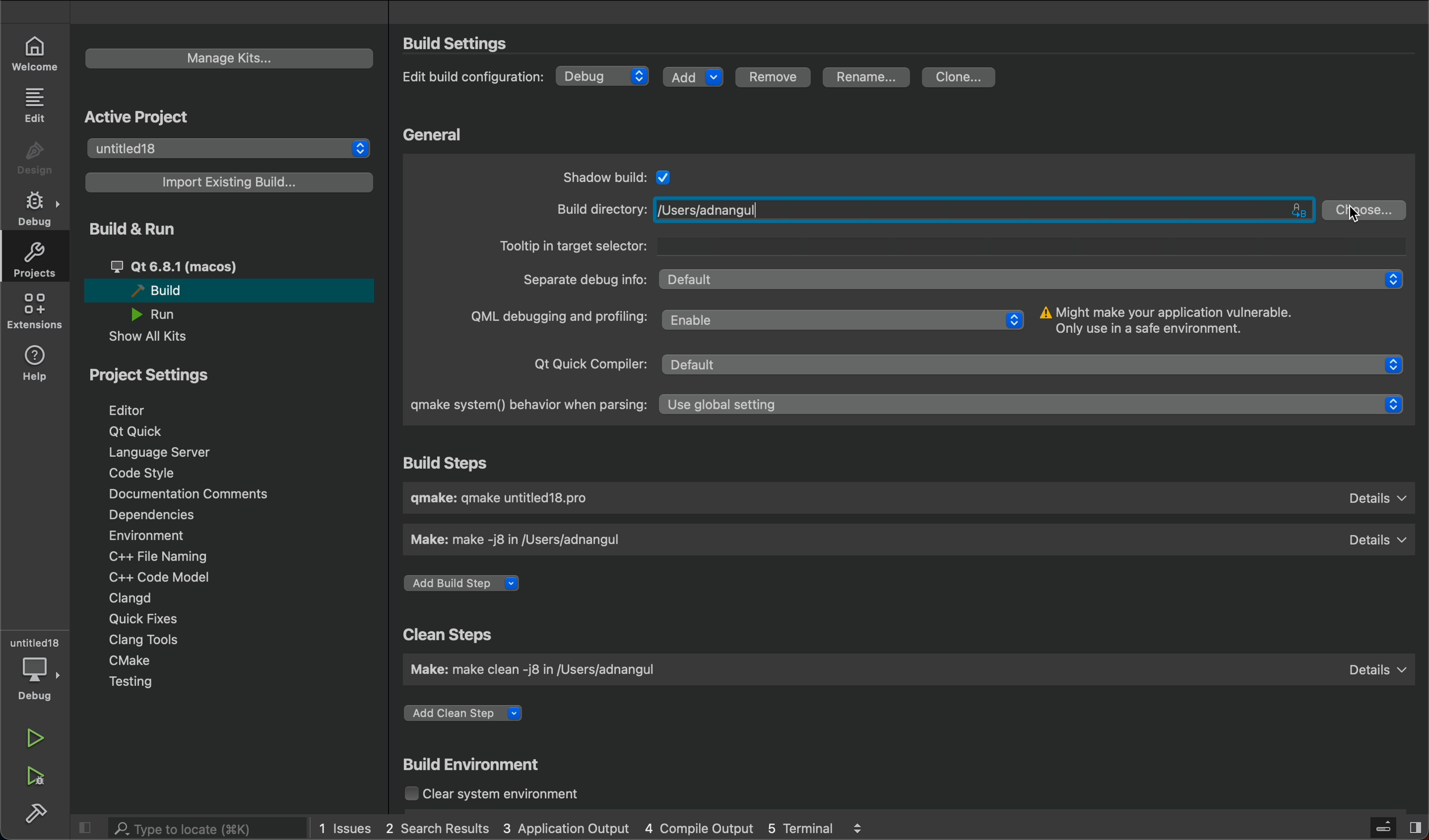 This screenshot has height=840, width=1429. Describe the element at coordinates (1378, 499) in the screenshot. I see `Details` at that location.